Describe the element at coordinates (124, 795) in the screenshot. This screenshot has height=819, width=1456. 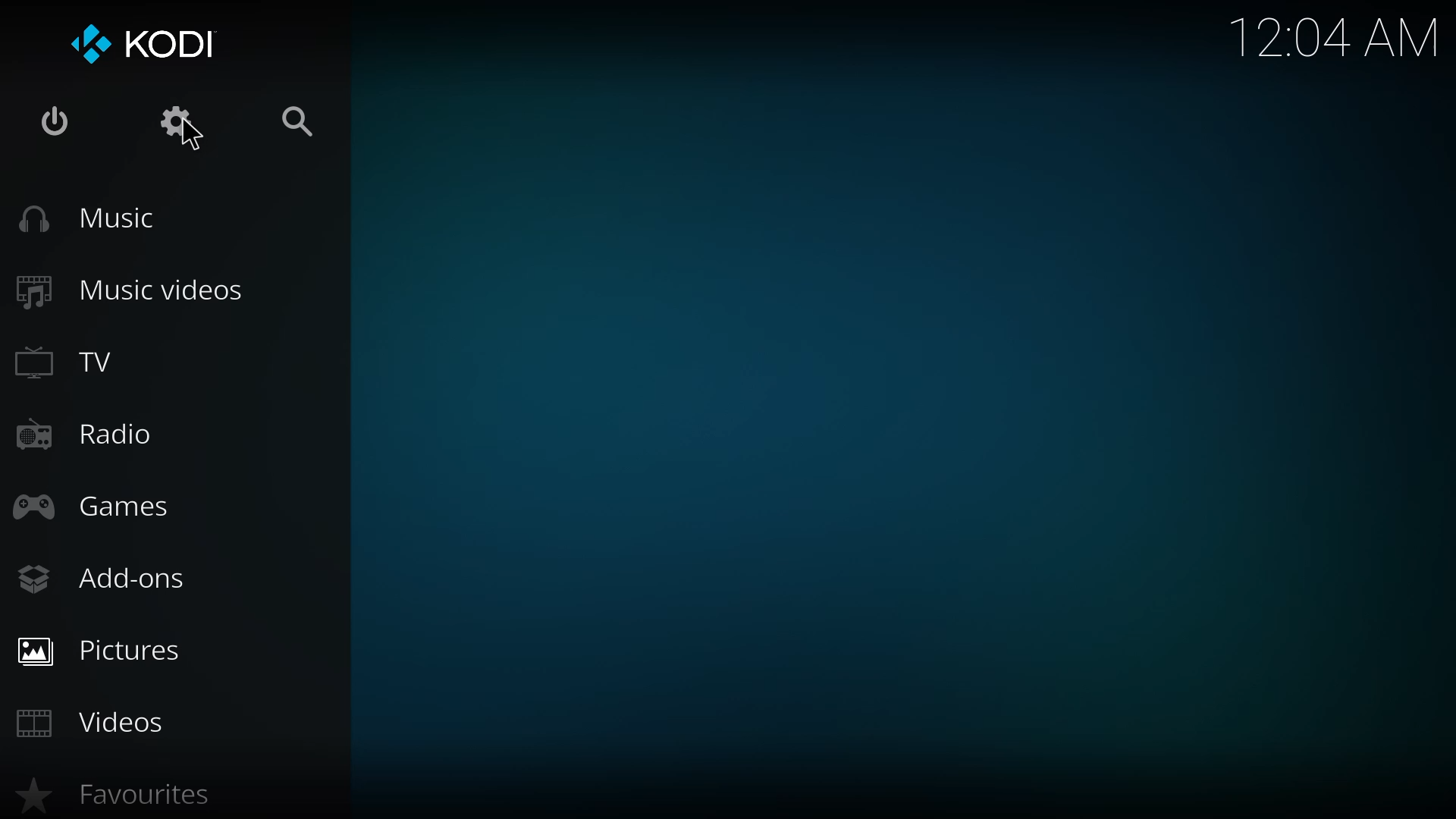
I see `favorites` at that location.